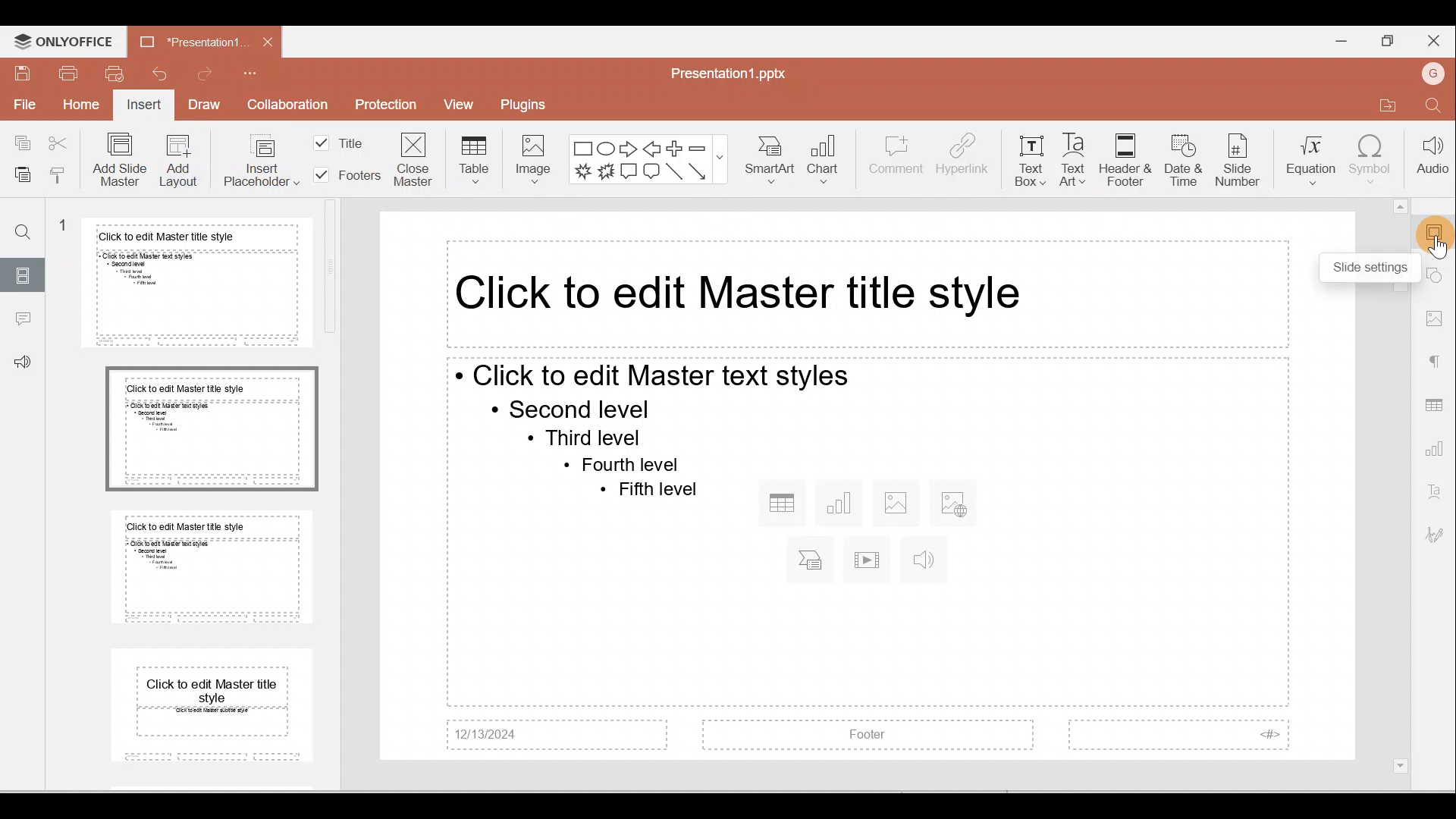 The height and width of the screenshot is (819, 1456). What do you see at coordinates (118, 160) in the screenshot?
I see `Add slide master` at bounding box center [118, 160].